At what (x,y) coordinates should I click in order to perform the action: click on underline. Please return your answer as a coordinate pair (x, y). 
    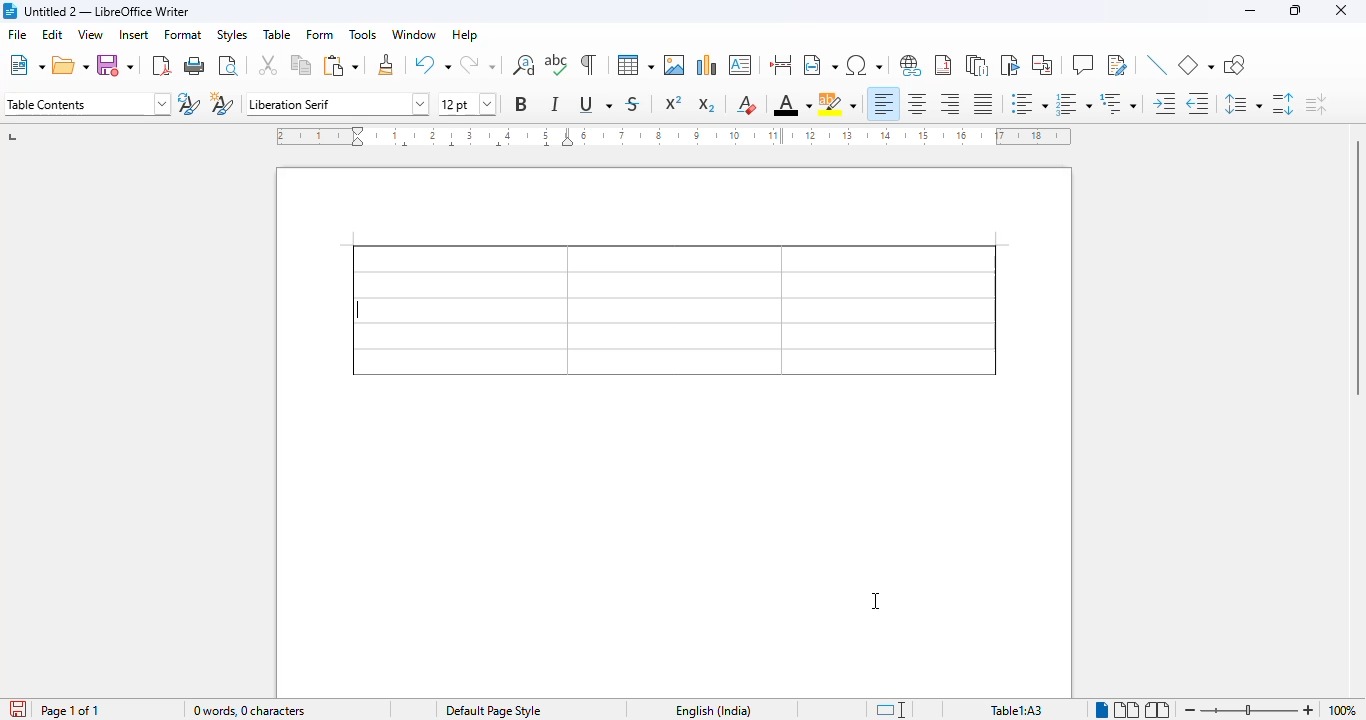
    Looking at the image, I should click on (595, 104).